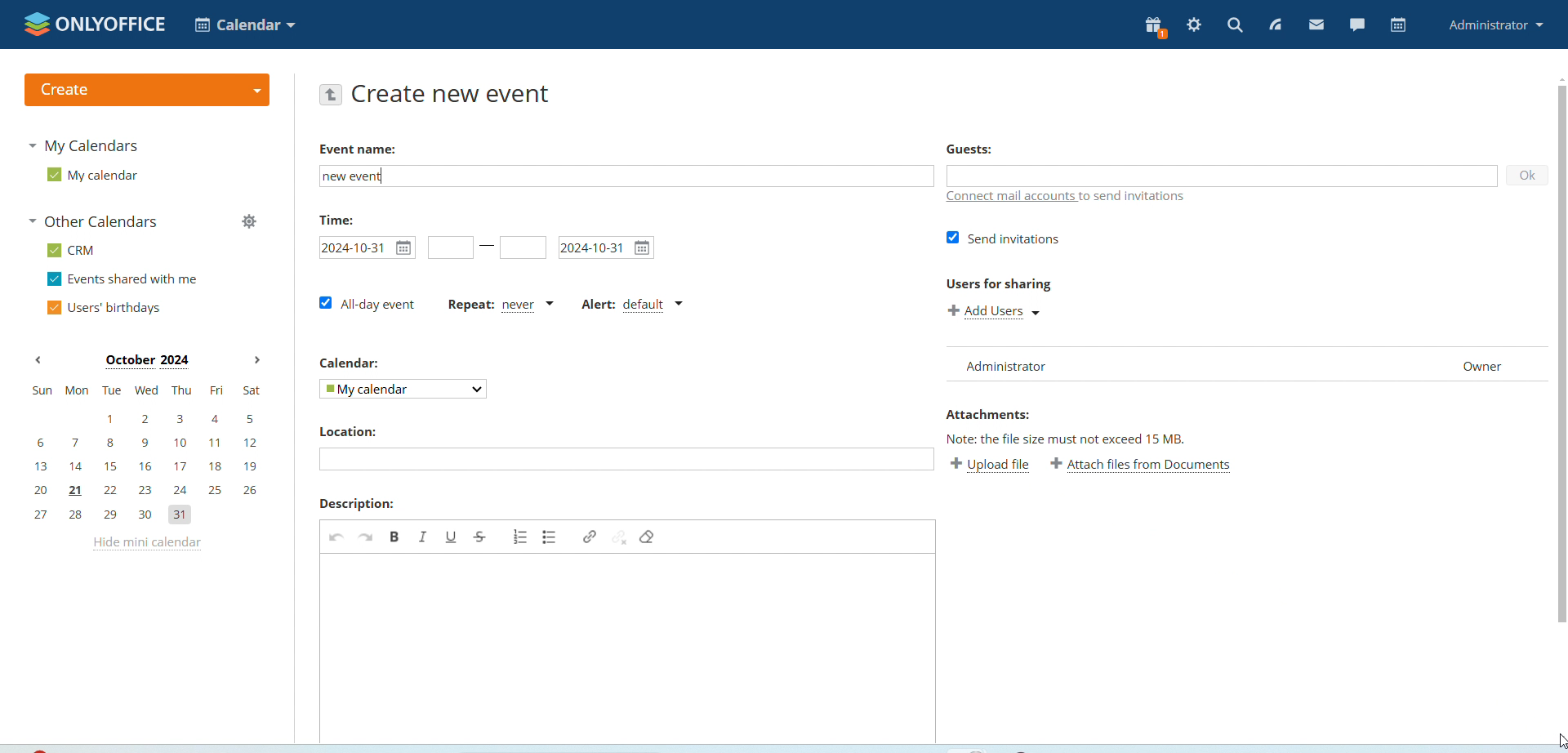 Image resolution: width=1568 pixels, height=753 pixels. I want to click on present, so click(1156, 28).